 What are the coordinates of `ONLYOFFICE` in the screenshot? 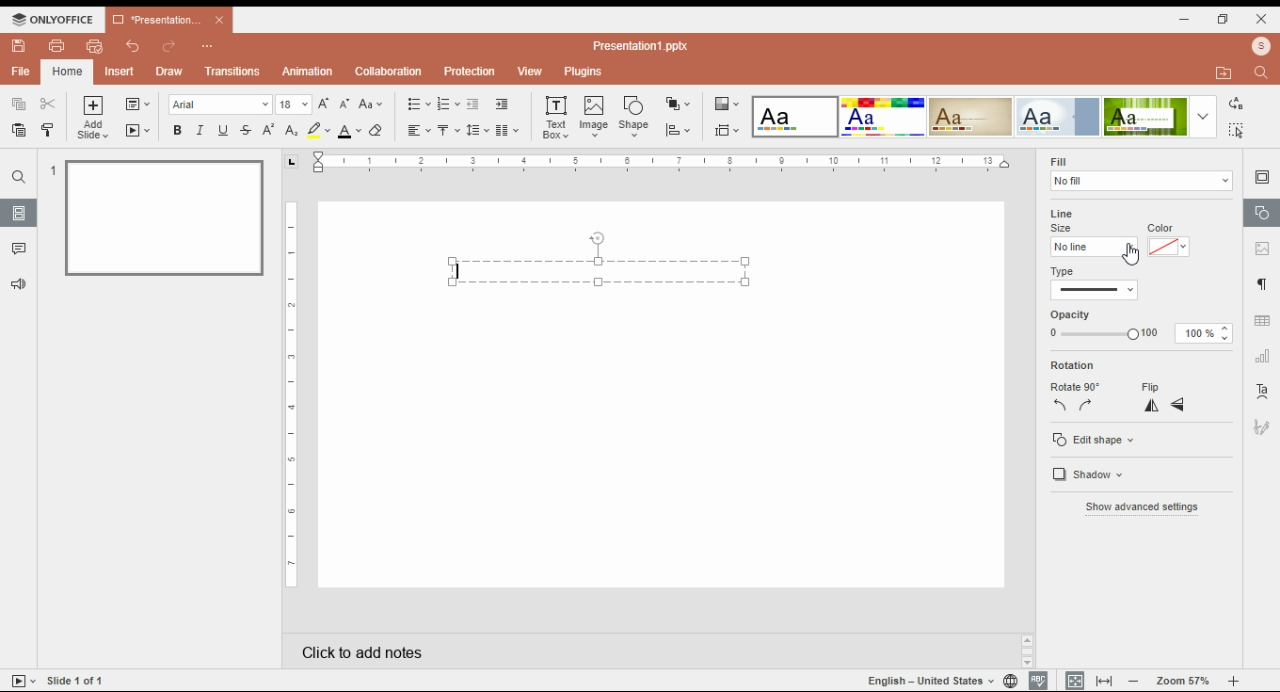 It's located at (54, 19).